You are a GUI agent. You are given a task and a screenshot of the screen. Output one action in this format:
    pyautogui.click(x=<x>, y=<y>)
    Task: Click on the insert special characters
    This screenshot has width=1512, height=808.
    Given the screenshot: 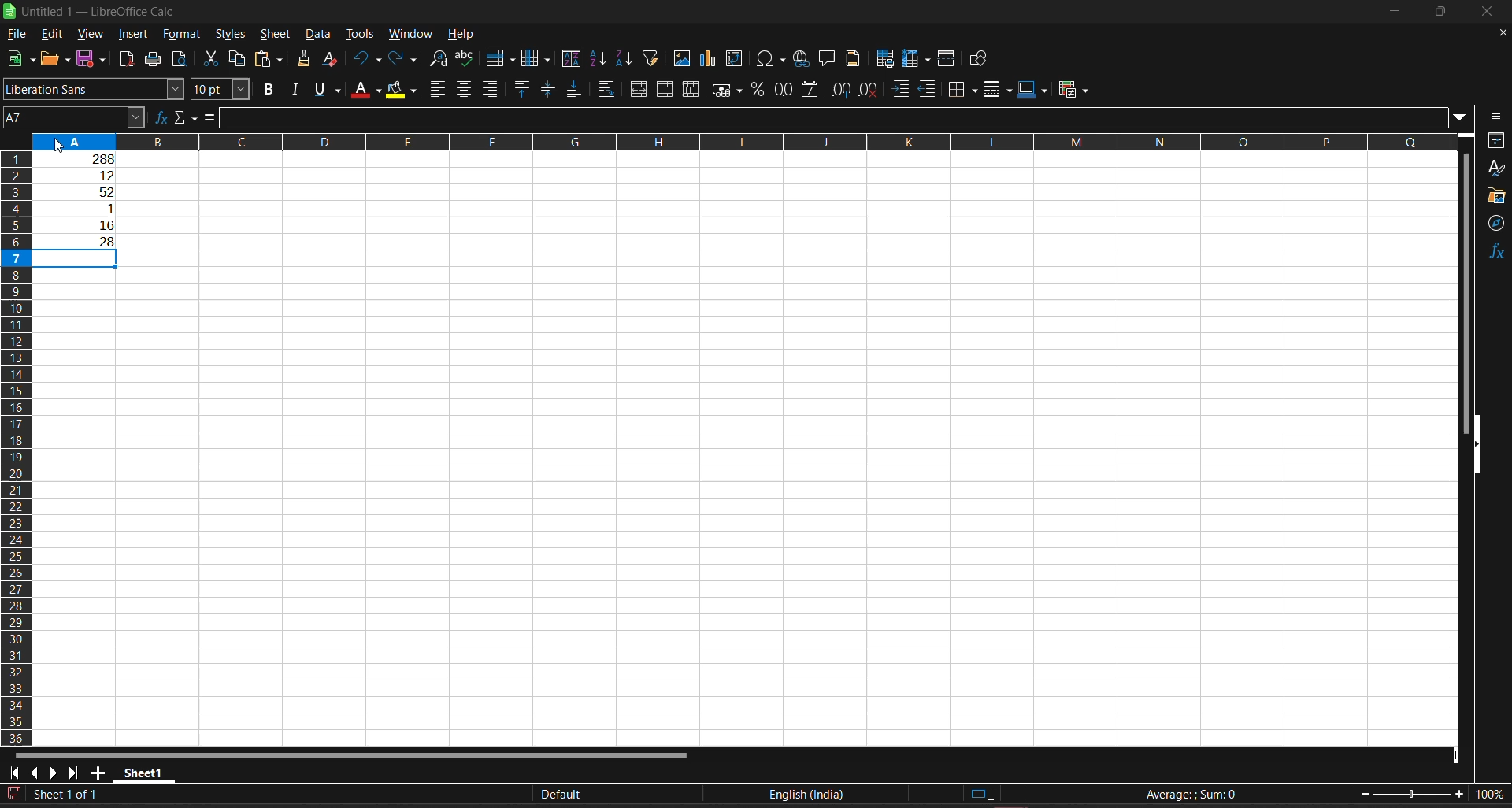 What is the action you would take?
    pyautogui.click(x=769, y=58)
    